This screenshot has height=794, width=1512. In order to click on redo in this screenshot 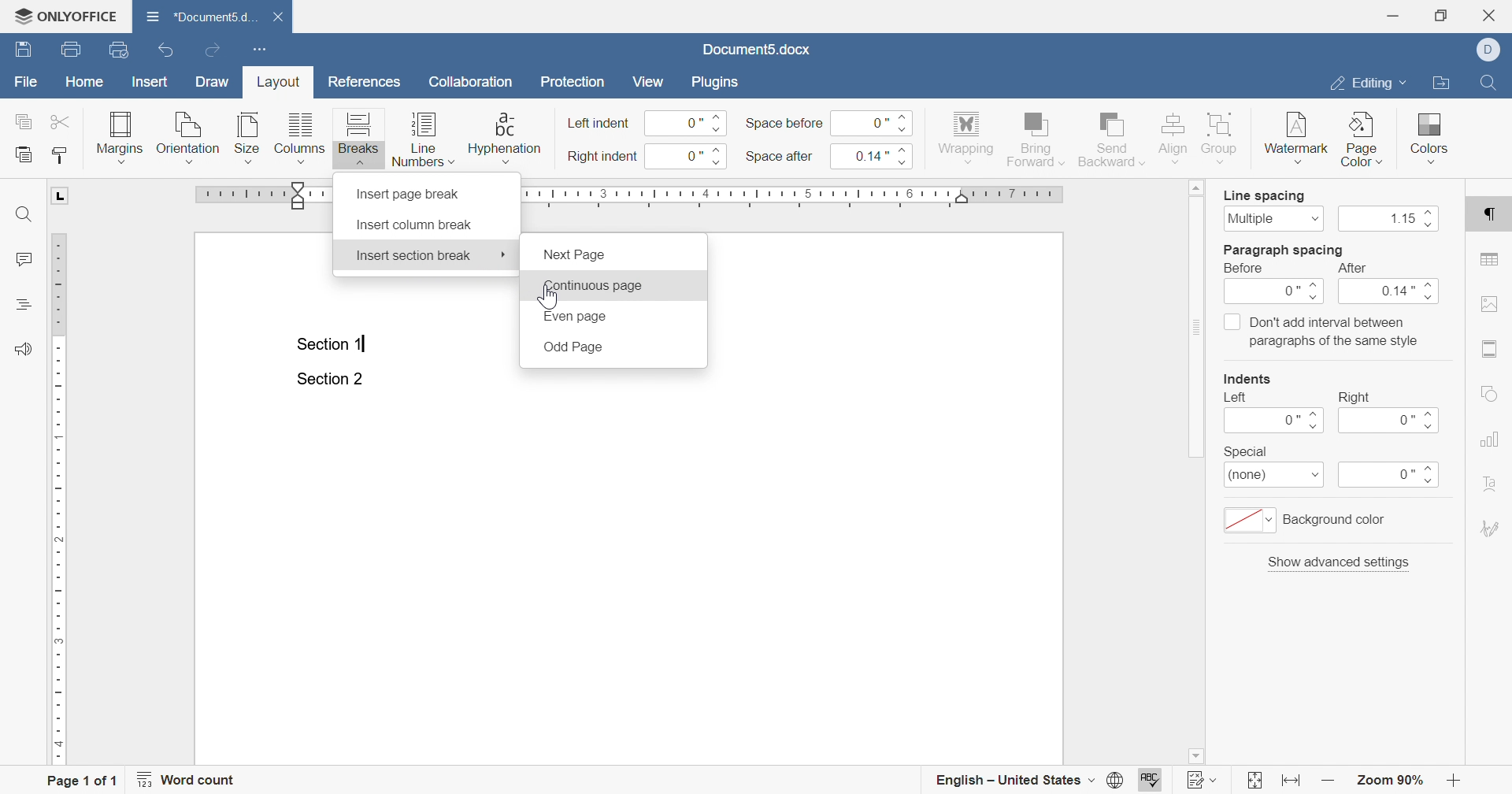, I will do `click(213, 50)`.